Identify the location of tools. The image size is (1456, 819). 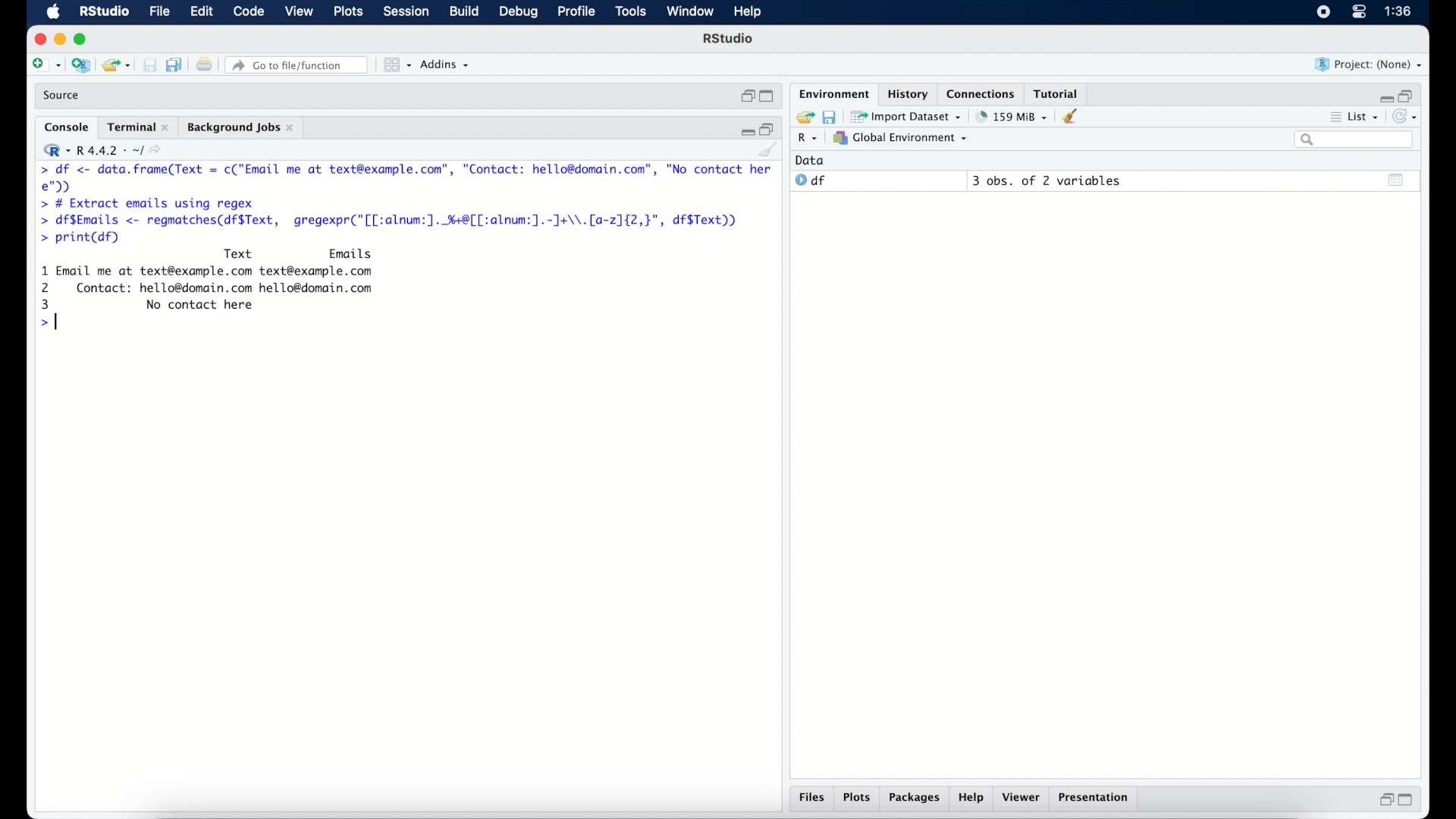
(629, 12).